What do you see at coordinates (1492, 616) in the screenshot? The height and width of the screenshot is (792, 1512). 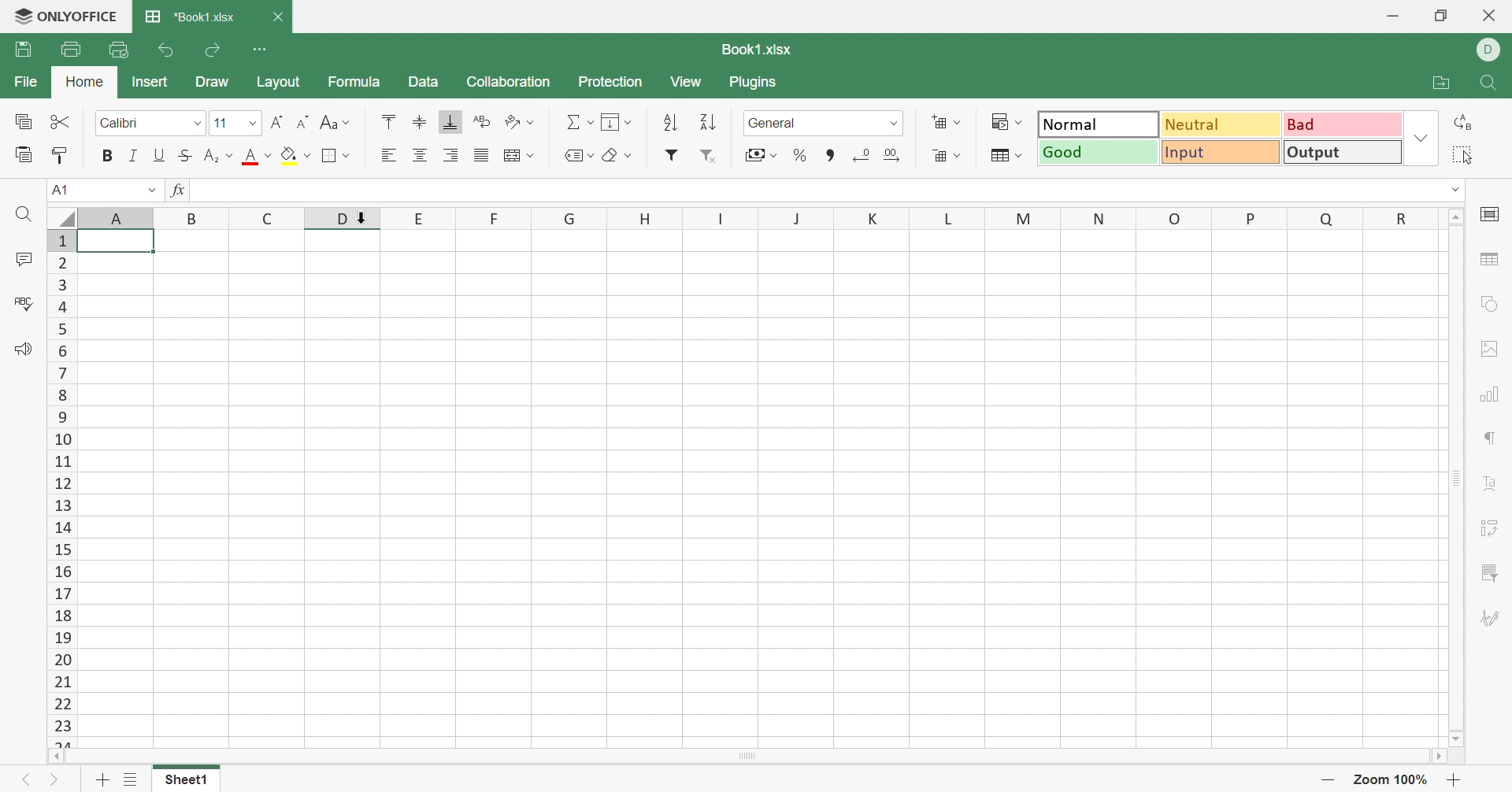 I see `Signature settings` at bounding box center [1492, 616].